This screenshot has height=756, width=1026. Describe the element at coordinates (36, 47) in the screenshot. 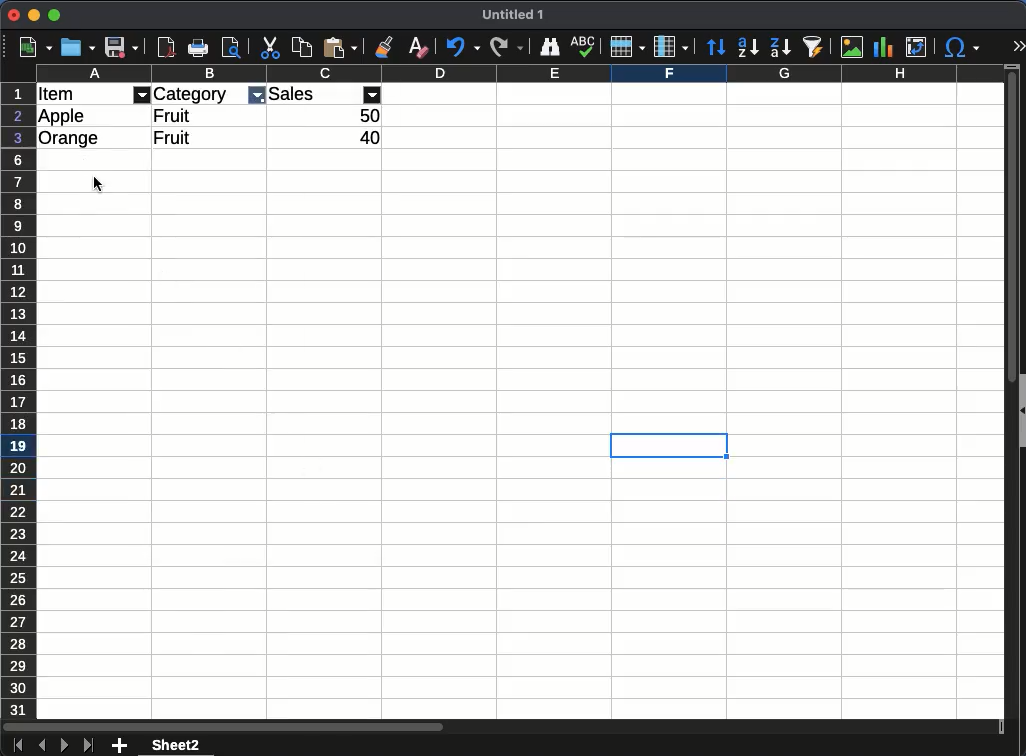

I see `new` at that location.